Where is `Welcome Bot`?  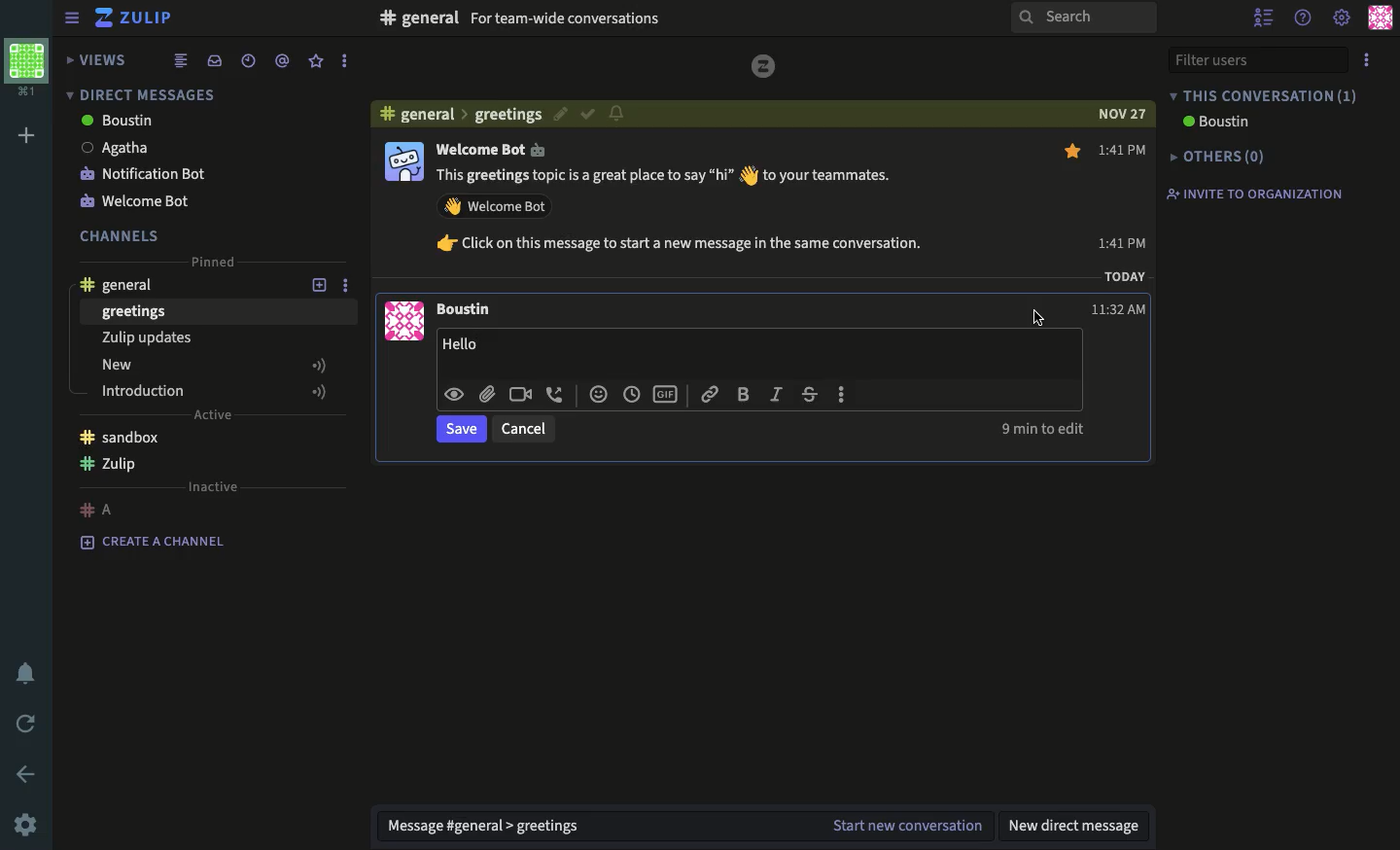 Welcome Bot is located at coordinates (500, 150).